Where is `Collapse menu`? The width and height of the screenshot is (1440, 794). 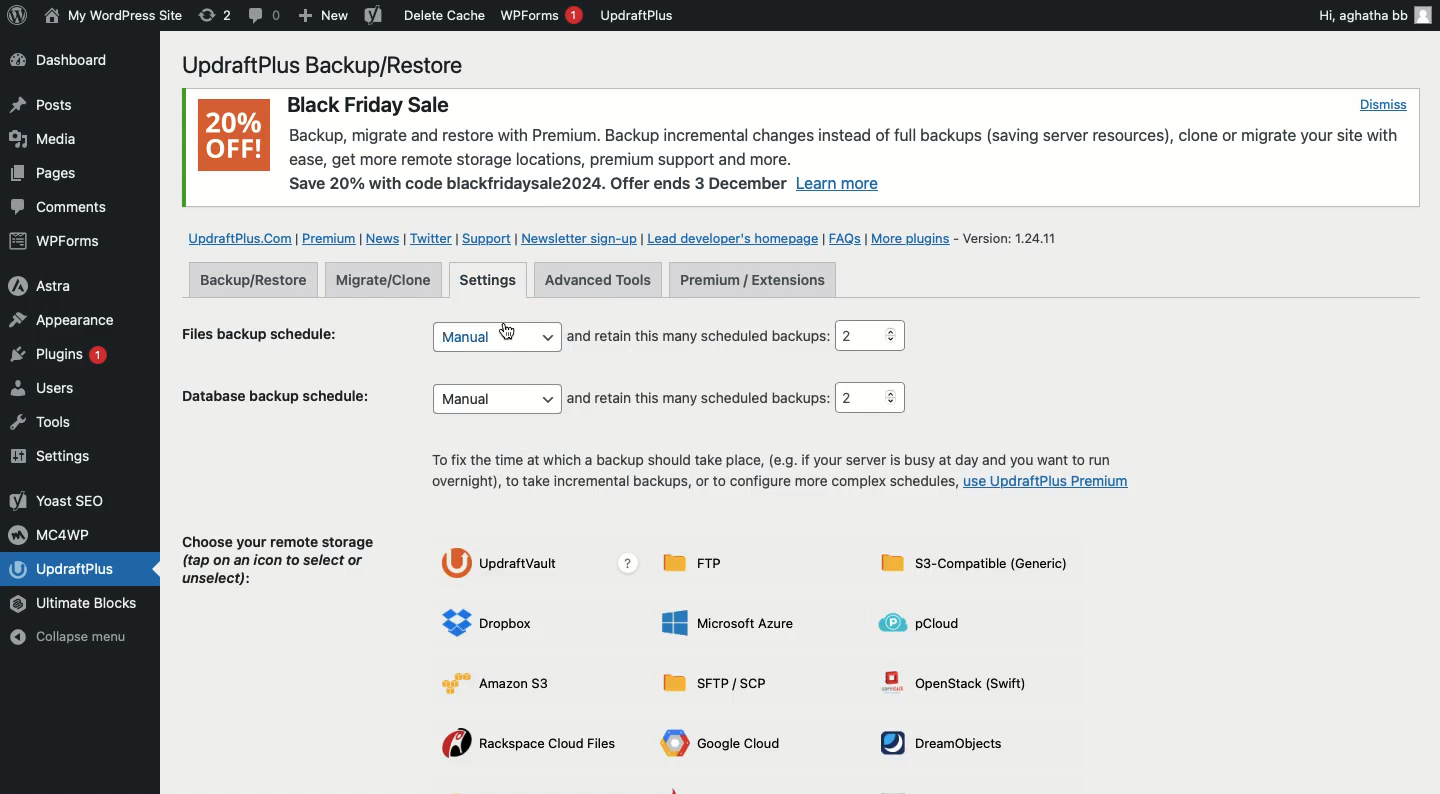
Collapse menu is located at coordinates (77, 639).